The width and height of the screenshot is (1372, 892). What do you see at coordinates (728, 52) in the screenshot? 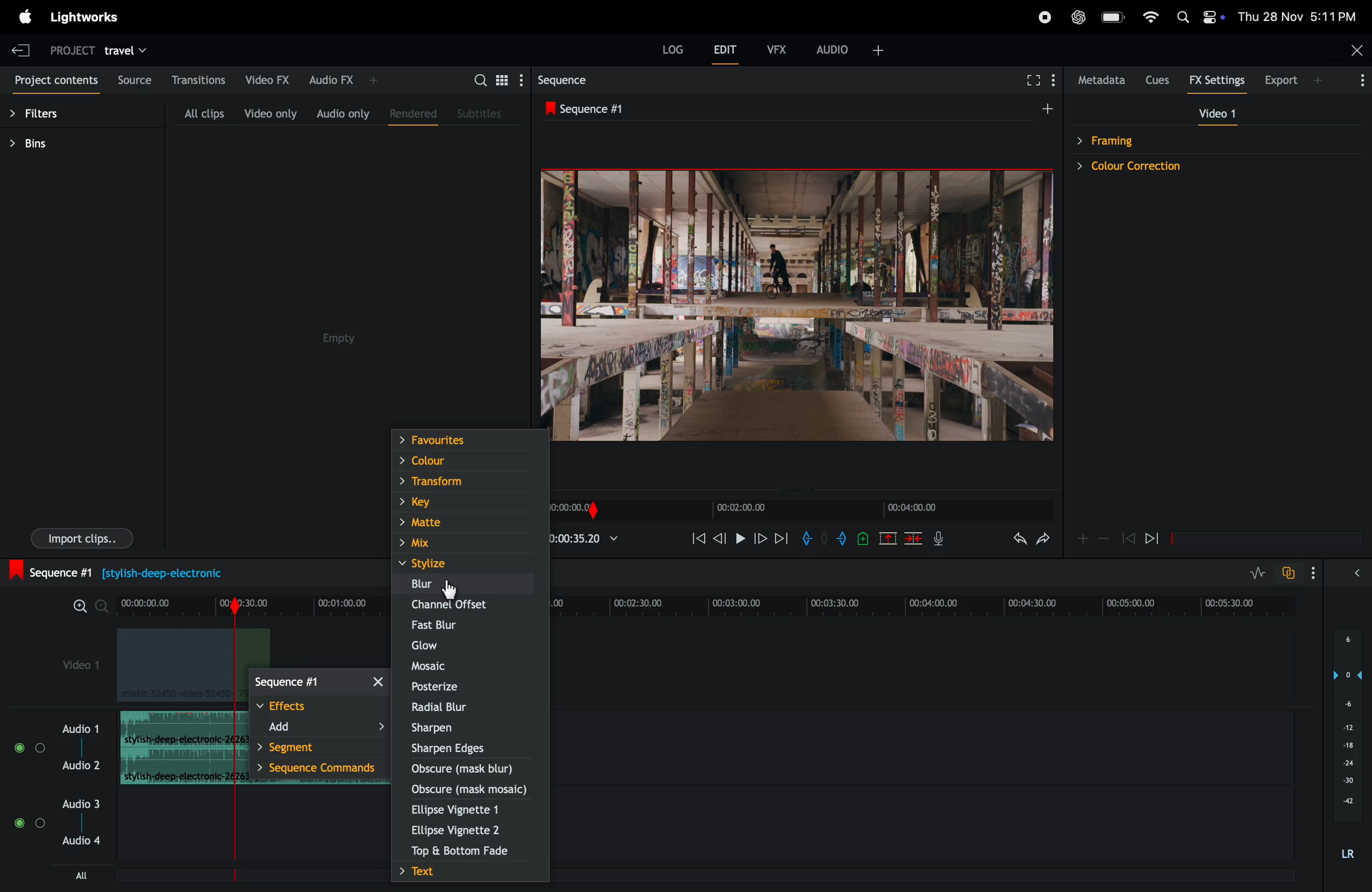
I see `edit` at bounding box center [728, 52].